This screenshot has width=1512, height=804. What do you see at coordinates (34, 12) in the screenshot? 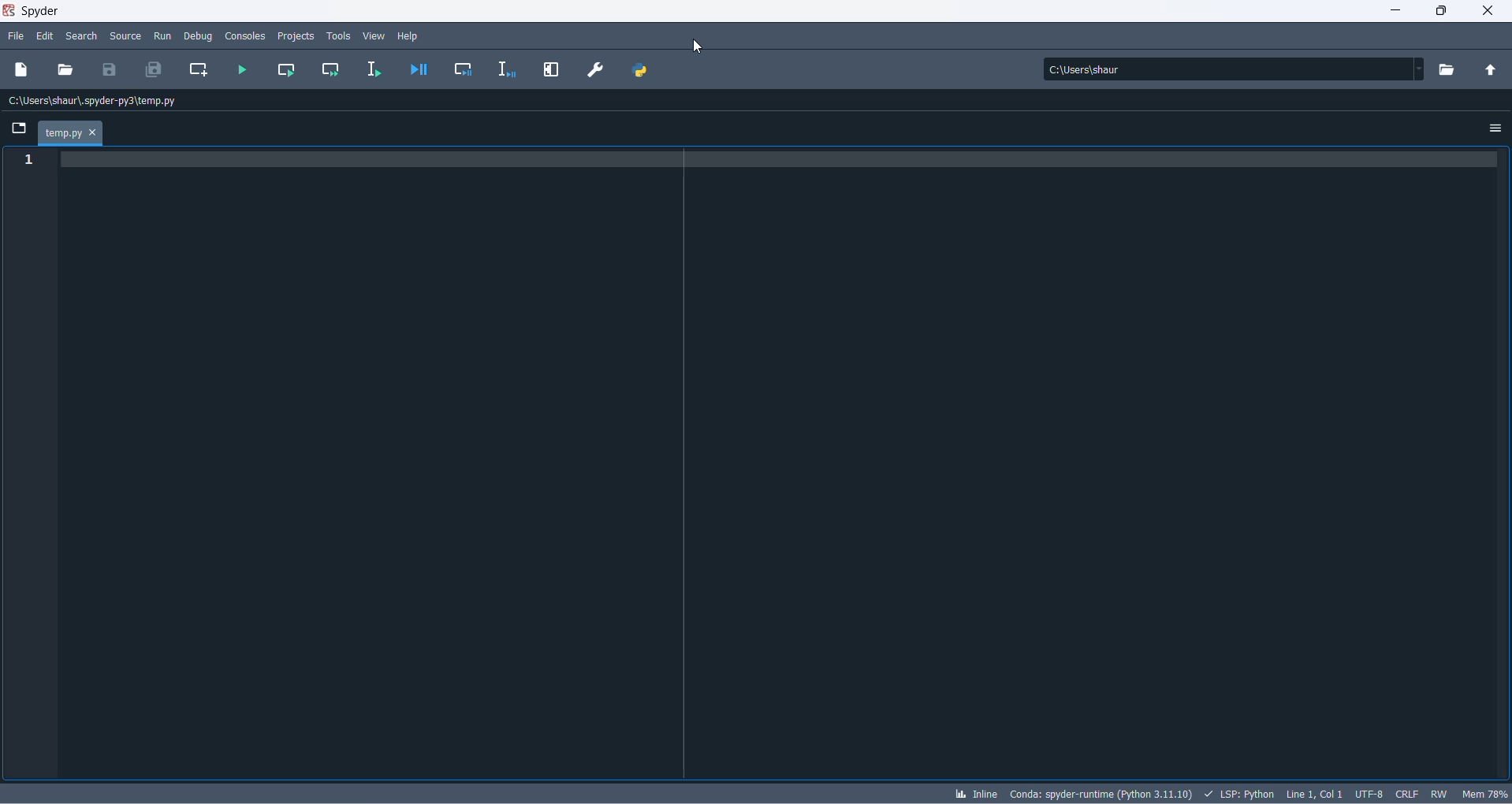
I see `spyder application name` at bounding box center [34, 12].